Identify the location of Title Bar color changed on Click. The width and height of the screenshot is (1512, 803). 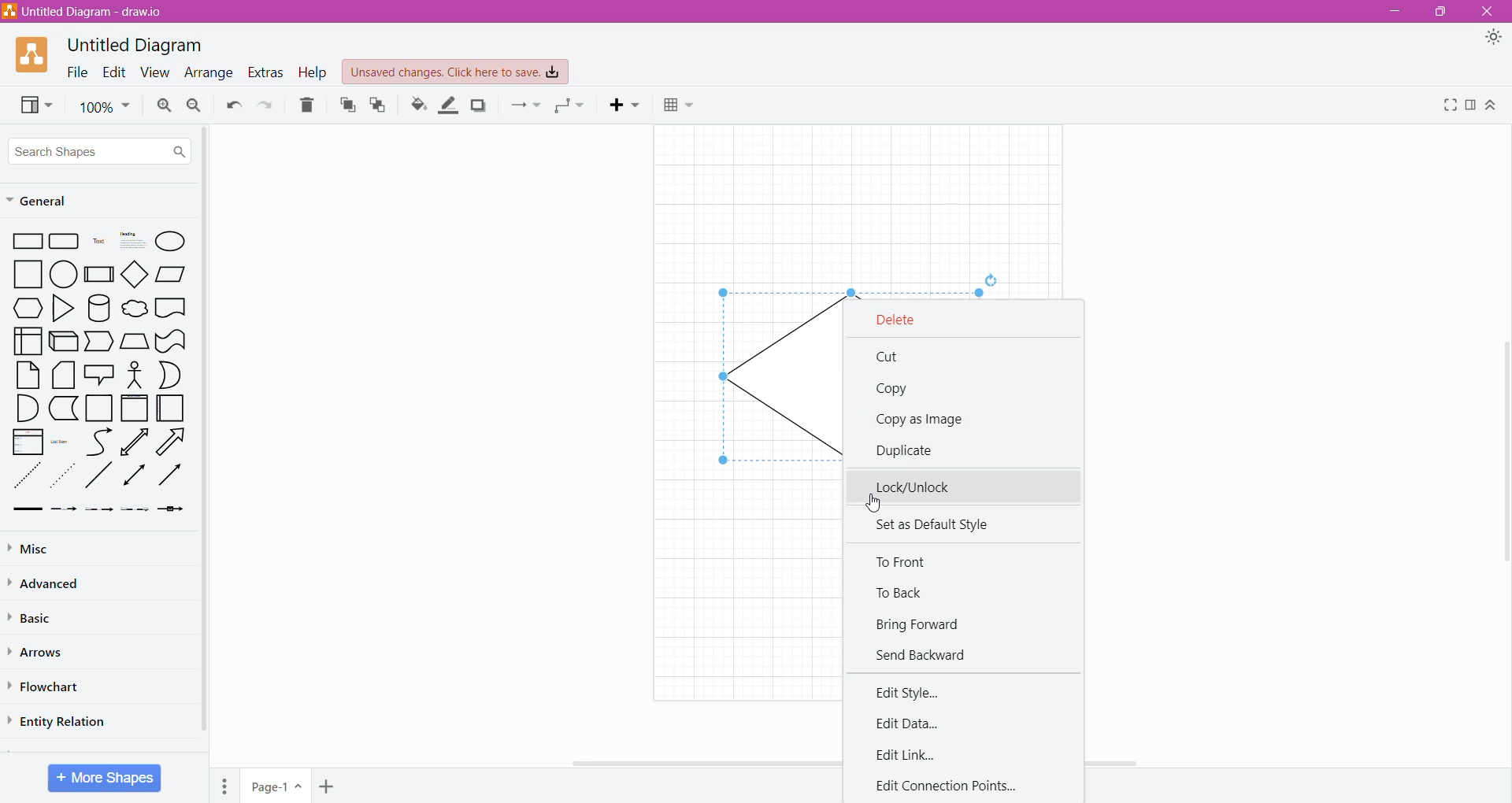
(756, 12).